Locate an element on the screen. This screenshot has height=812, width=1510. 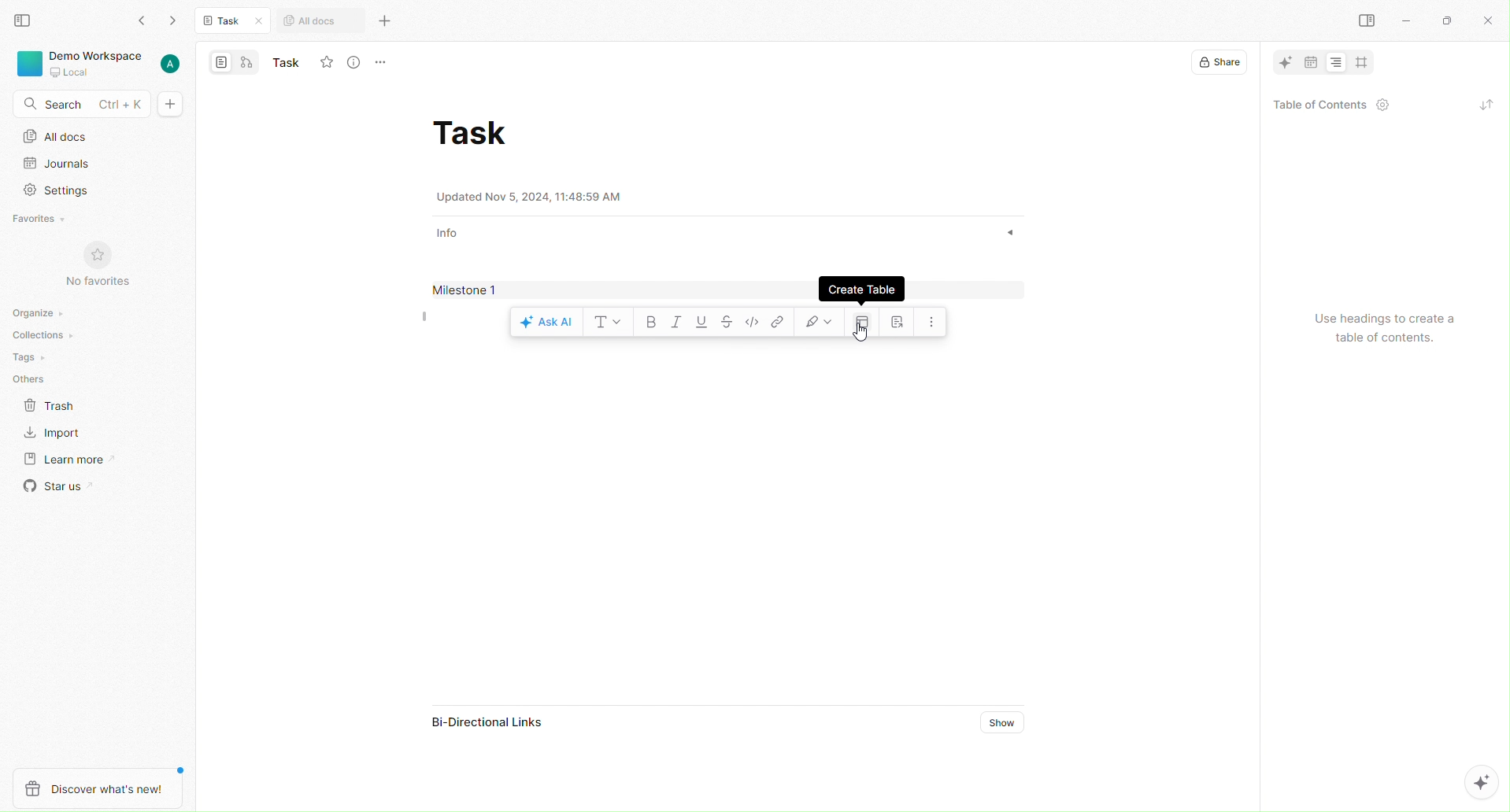
AI tool is located at coordinates (1284, 65).